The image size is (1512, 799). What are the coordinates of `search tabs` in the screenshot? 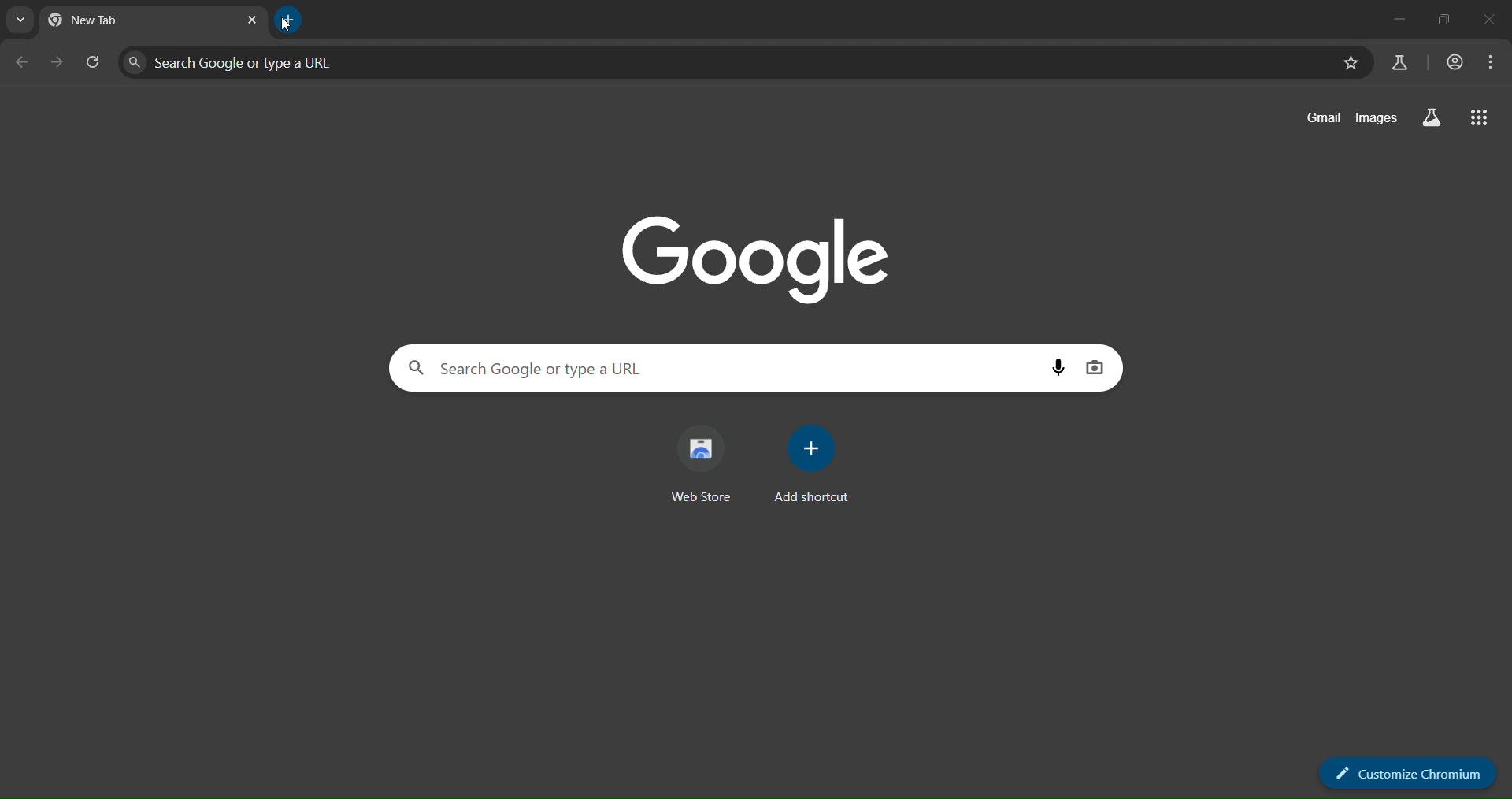 It's located at (20, 20).